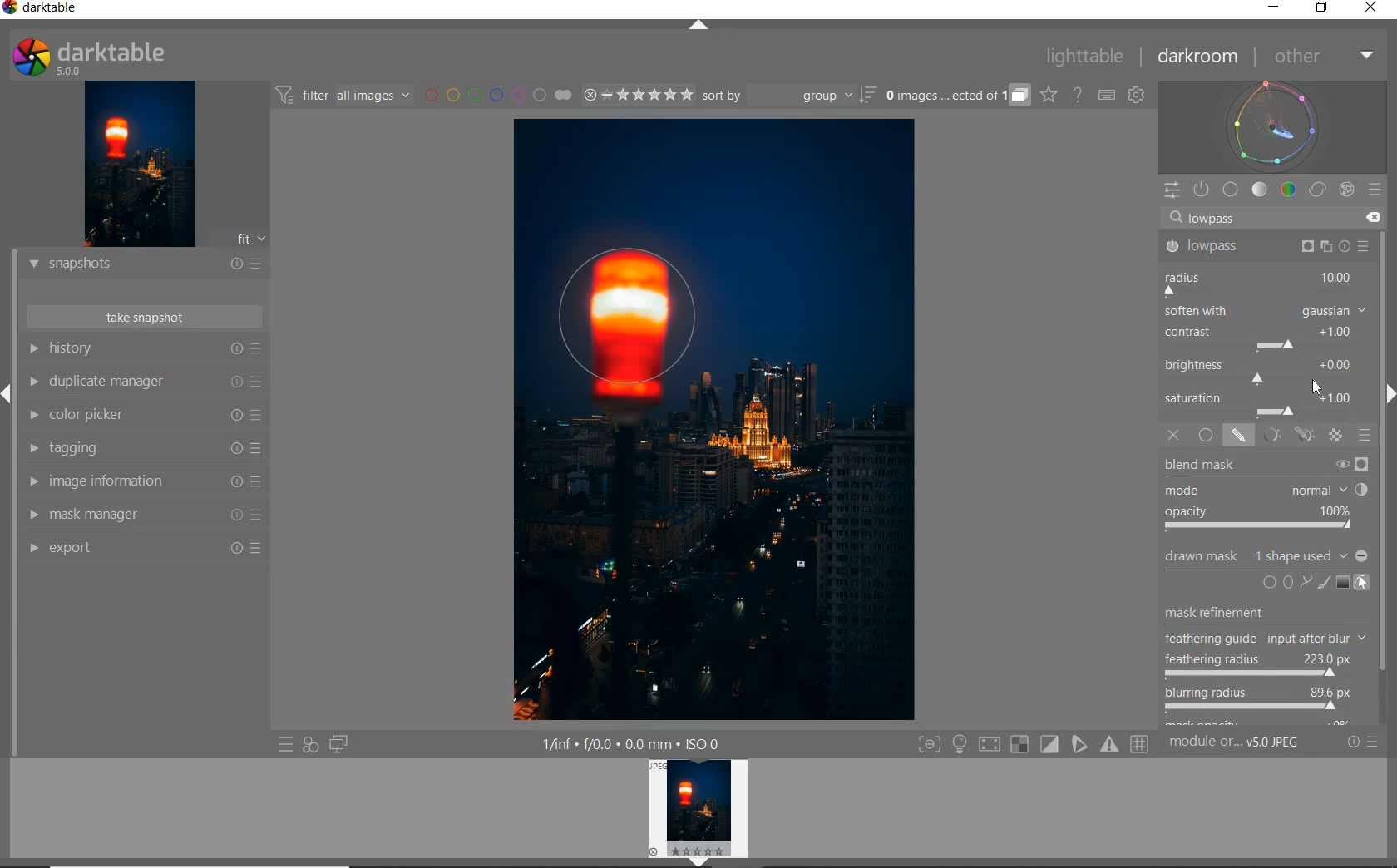 The image size is (1397, 868). I want to click on CONTRAST, so click(1263, 339).